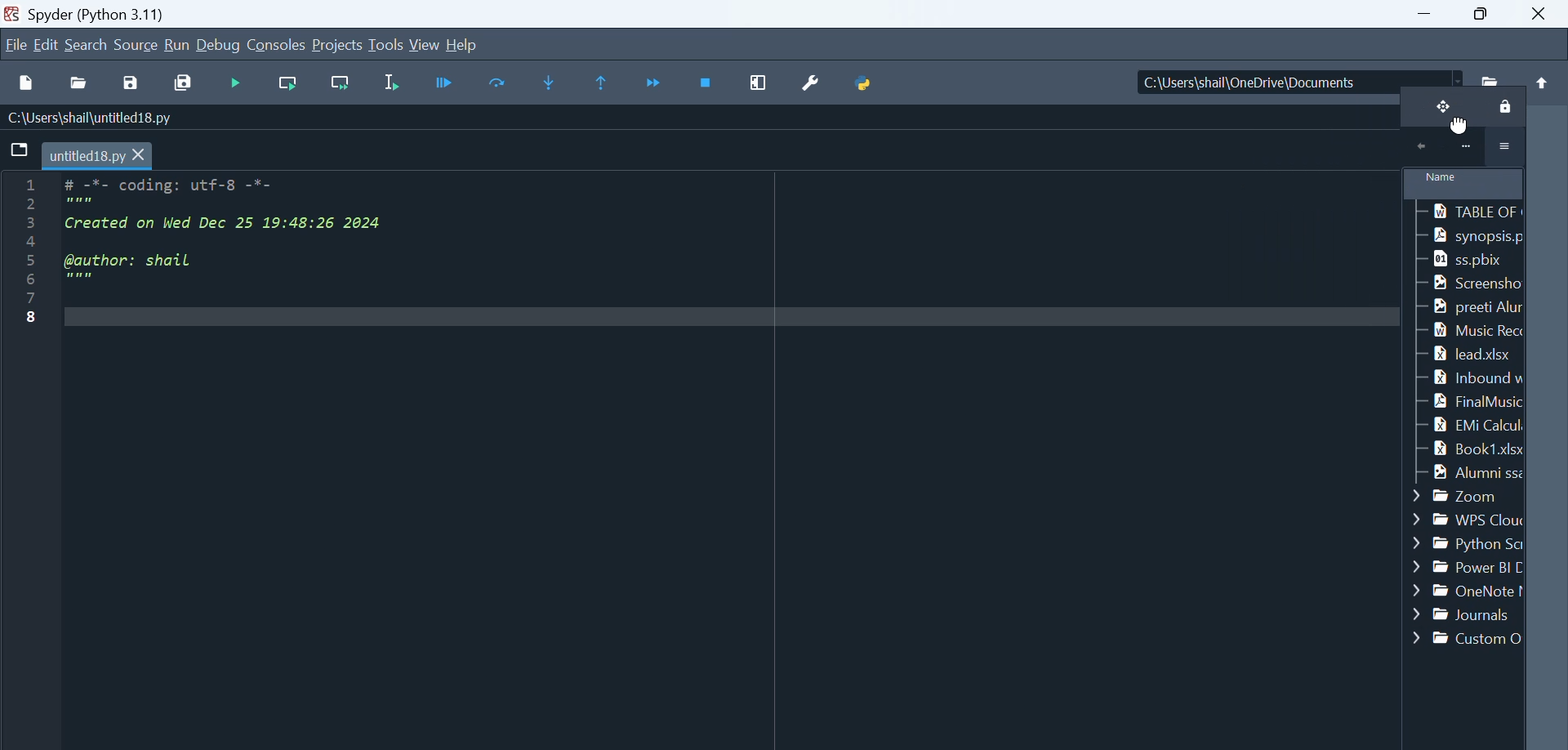  I want to click on TABLE OF.., so click(1468, 212).